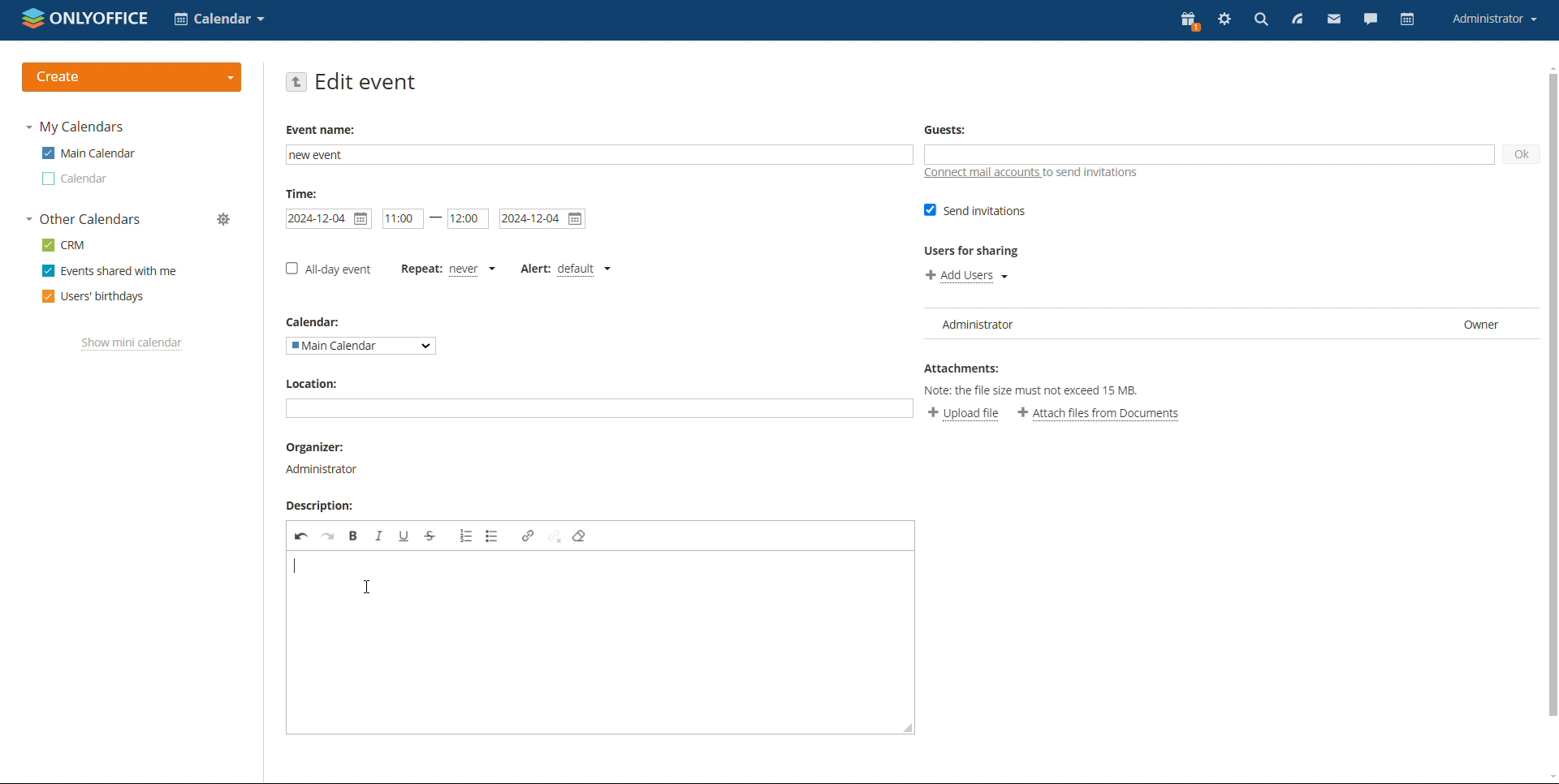 The image size is (1559, 784). I want to click on calendar, so click(74, 179).